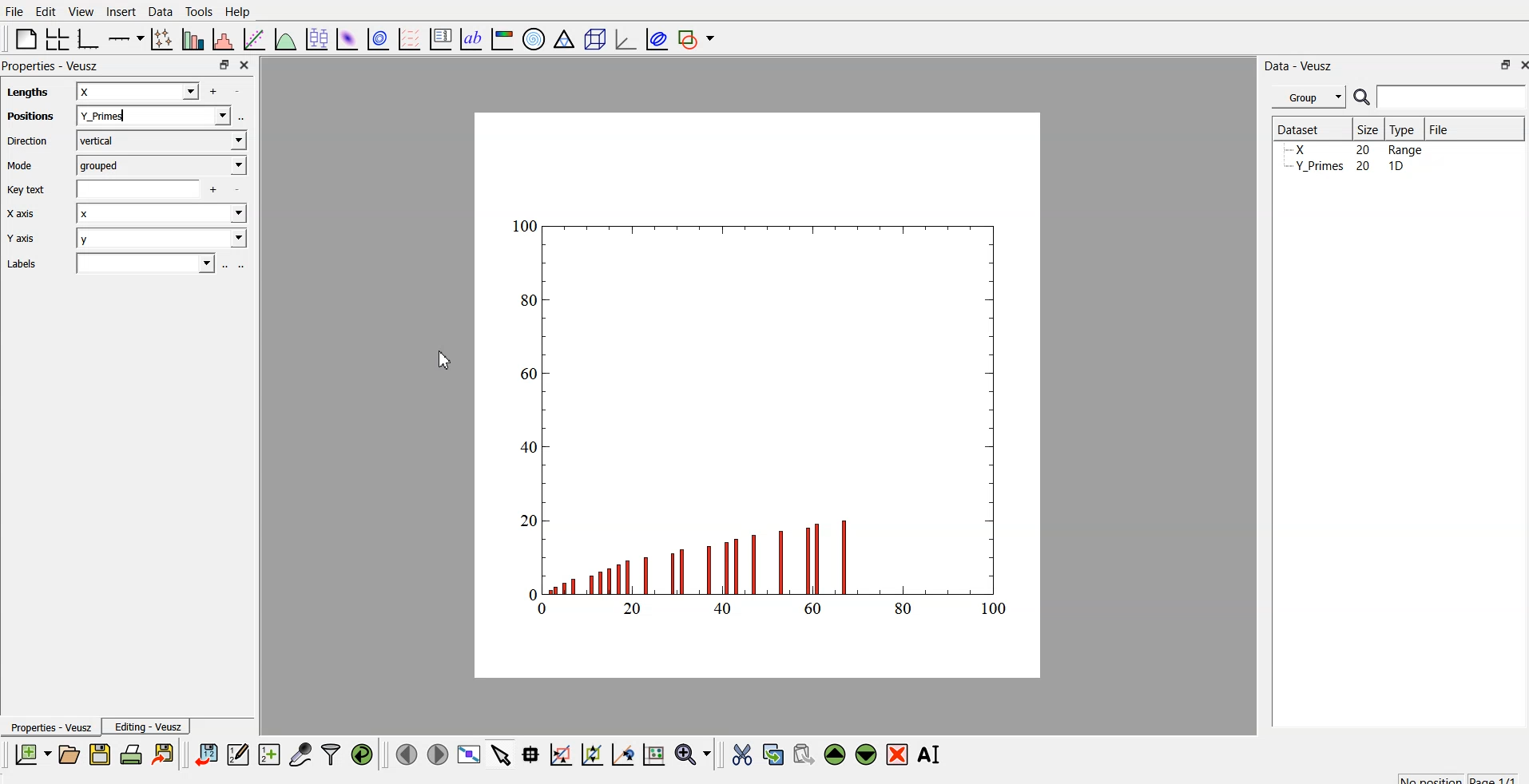  What do you see at coordinates (653, 752) in the screenshot?
I see `reset graph axes` at bounding box center [653, 752].